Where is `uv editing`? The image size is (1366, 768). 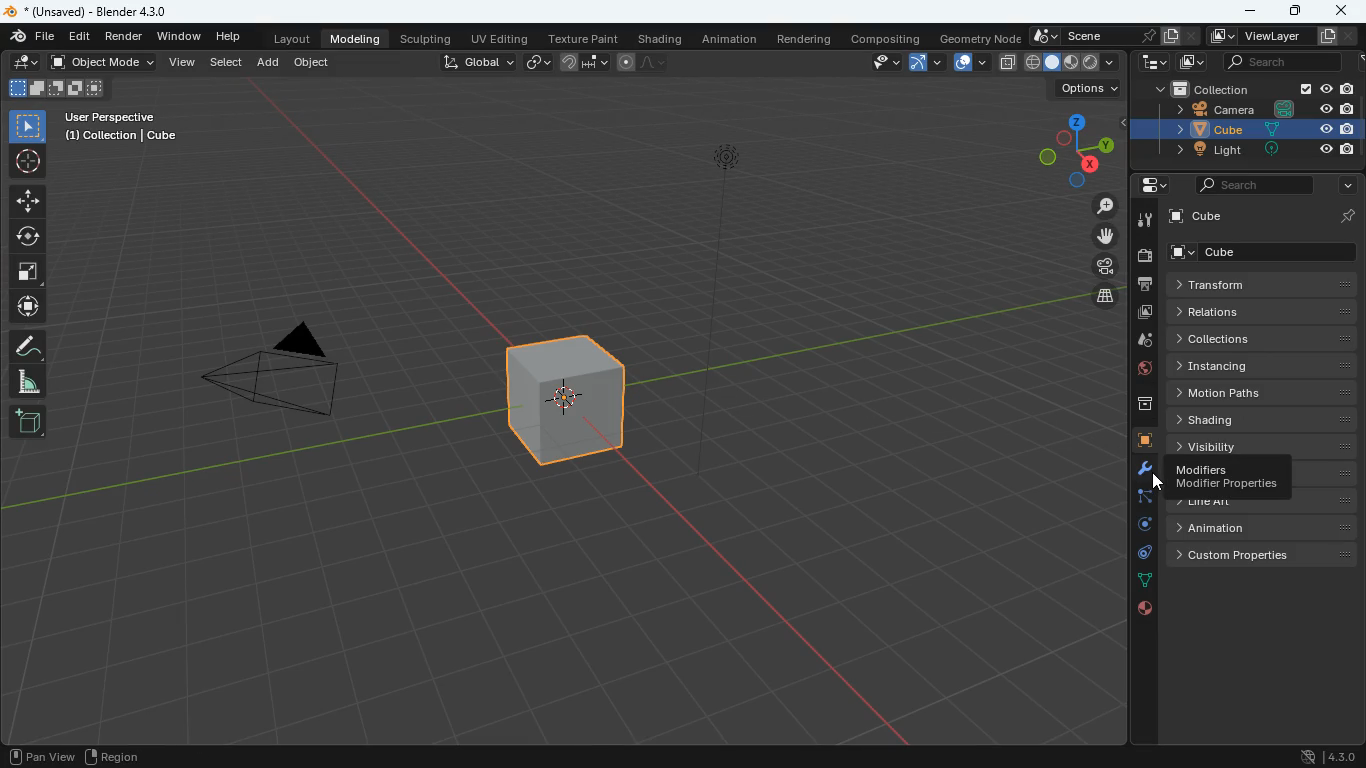
uv editing is located at coordinates (499, 37).